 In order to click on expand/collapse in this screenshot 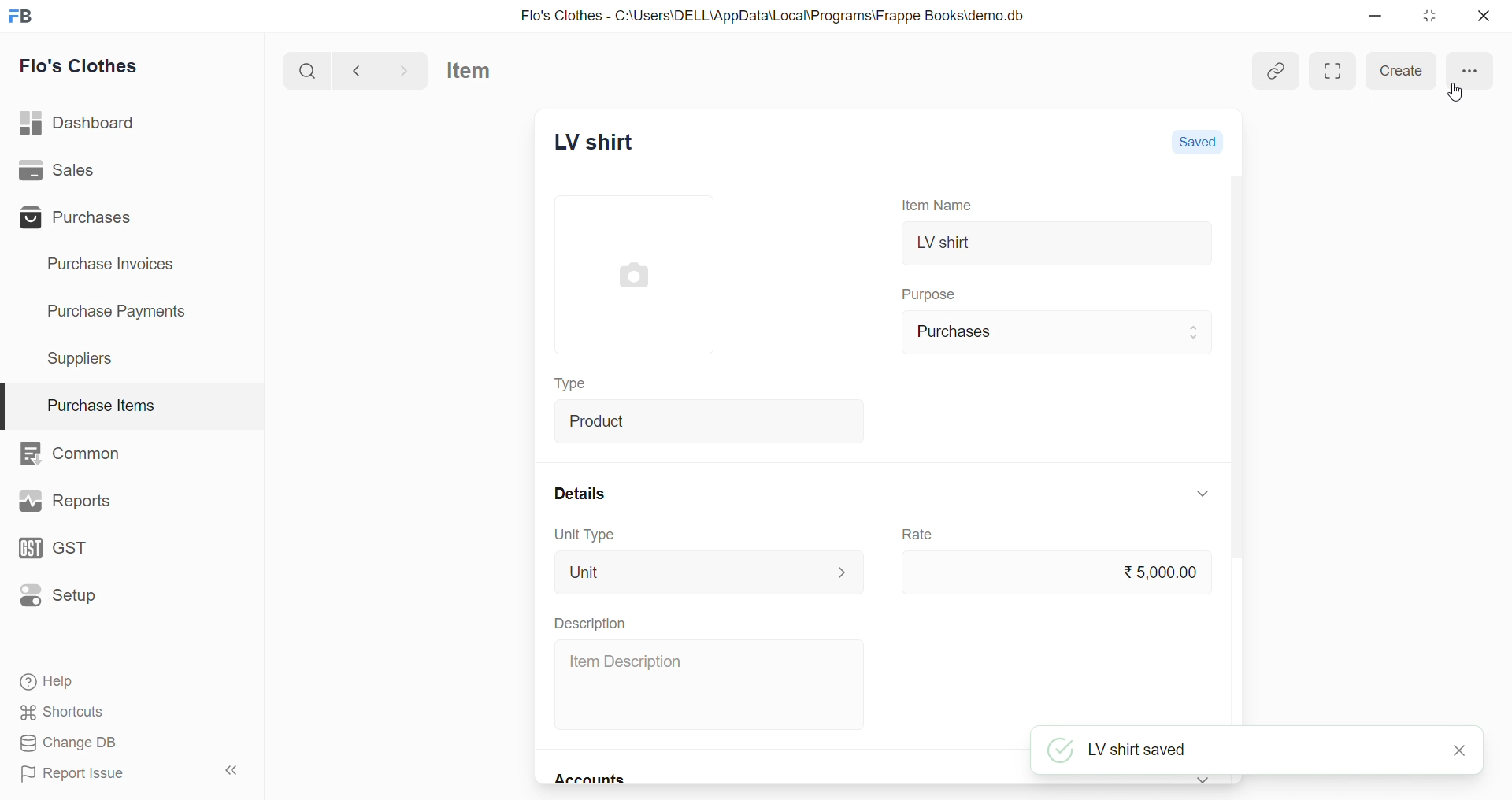, I will do `click(1205, 780)`.